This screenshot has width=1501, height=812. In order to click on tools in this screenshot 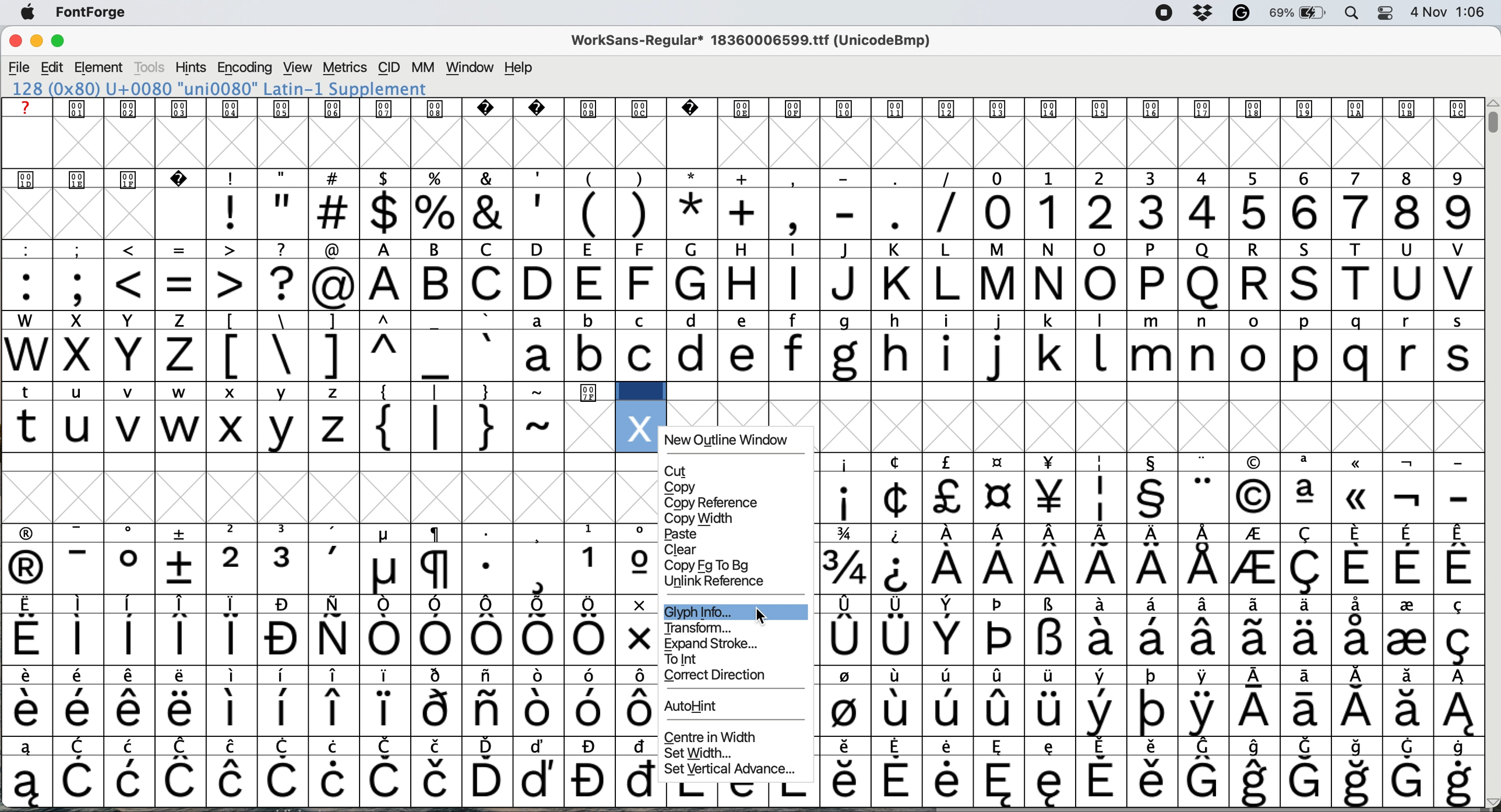, I will do `click(150, 68)`.